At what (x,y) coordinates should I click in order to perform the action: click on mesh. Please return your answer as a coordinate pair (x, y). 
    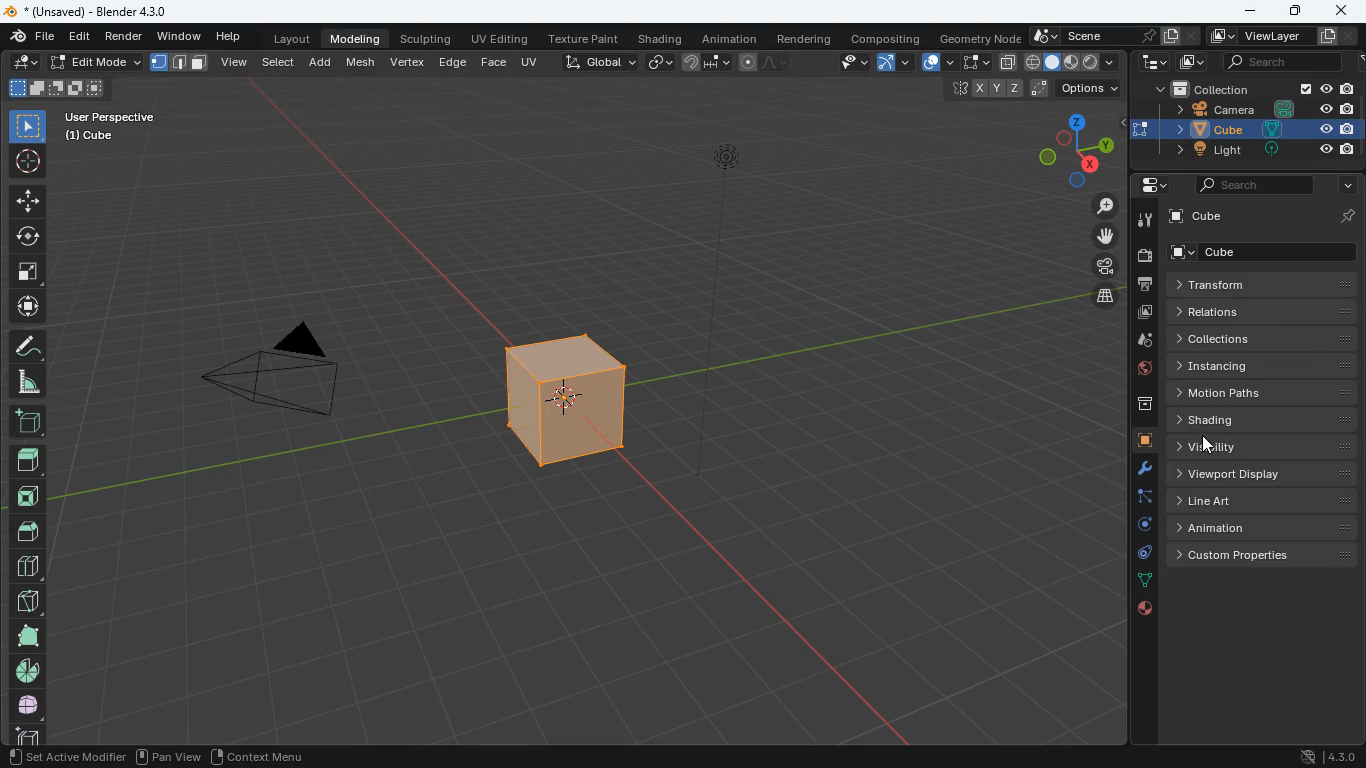
    Looking at the image, I should click on (361, 63).